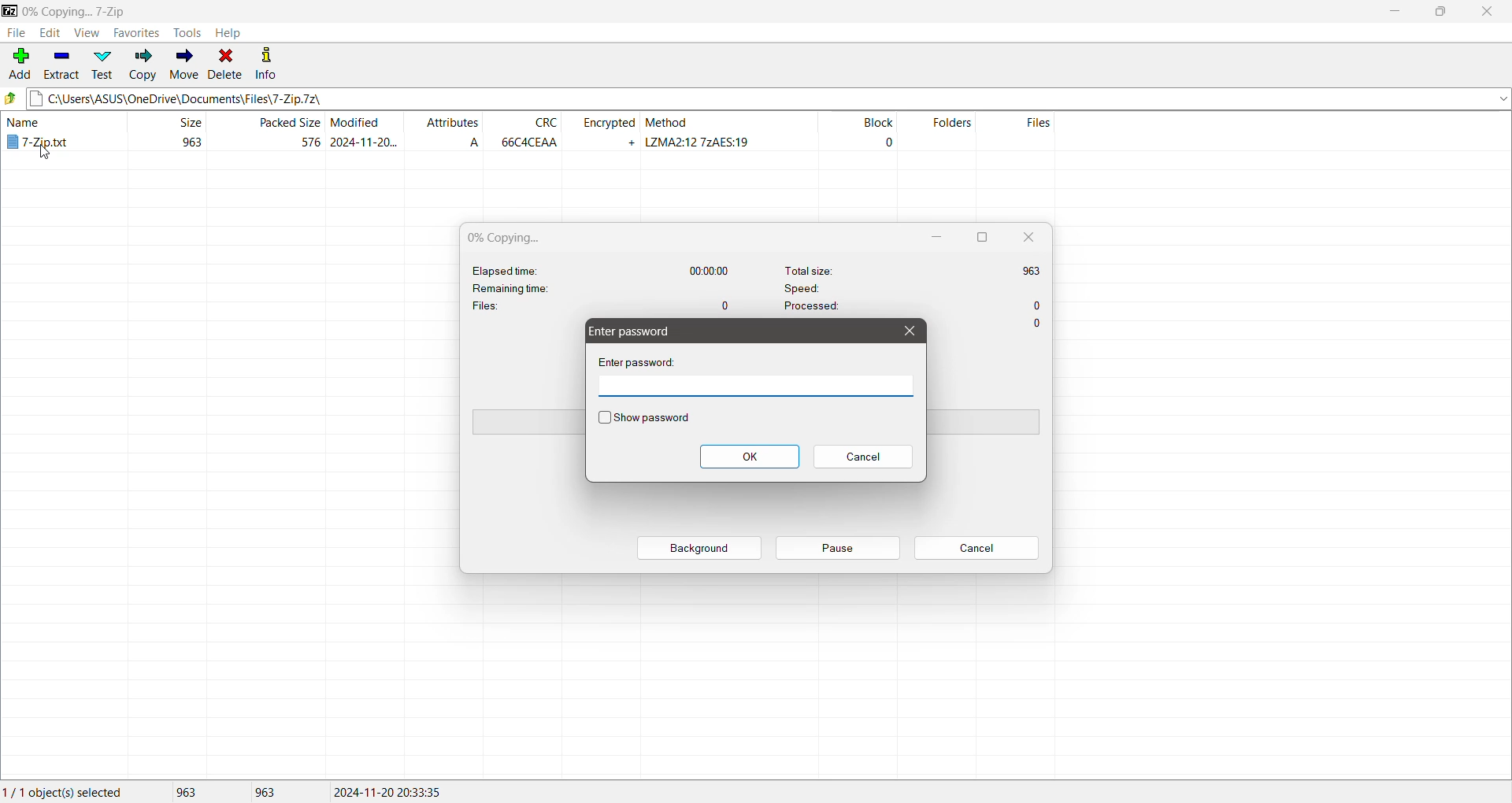 The width and height of the screenshot is (1512, 803). Describe the element at coordinates (634, 331) in the screenshot. I see `Enter password` at that location.